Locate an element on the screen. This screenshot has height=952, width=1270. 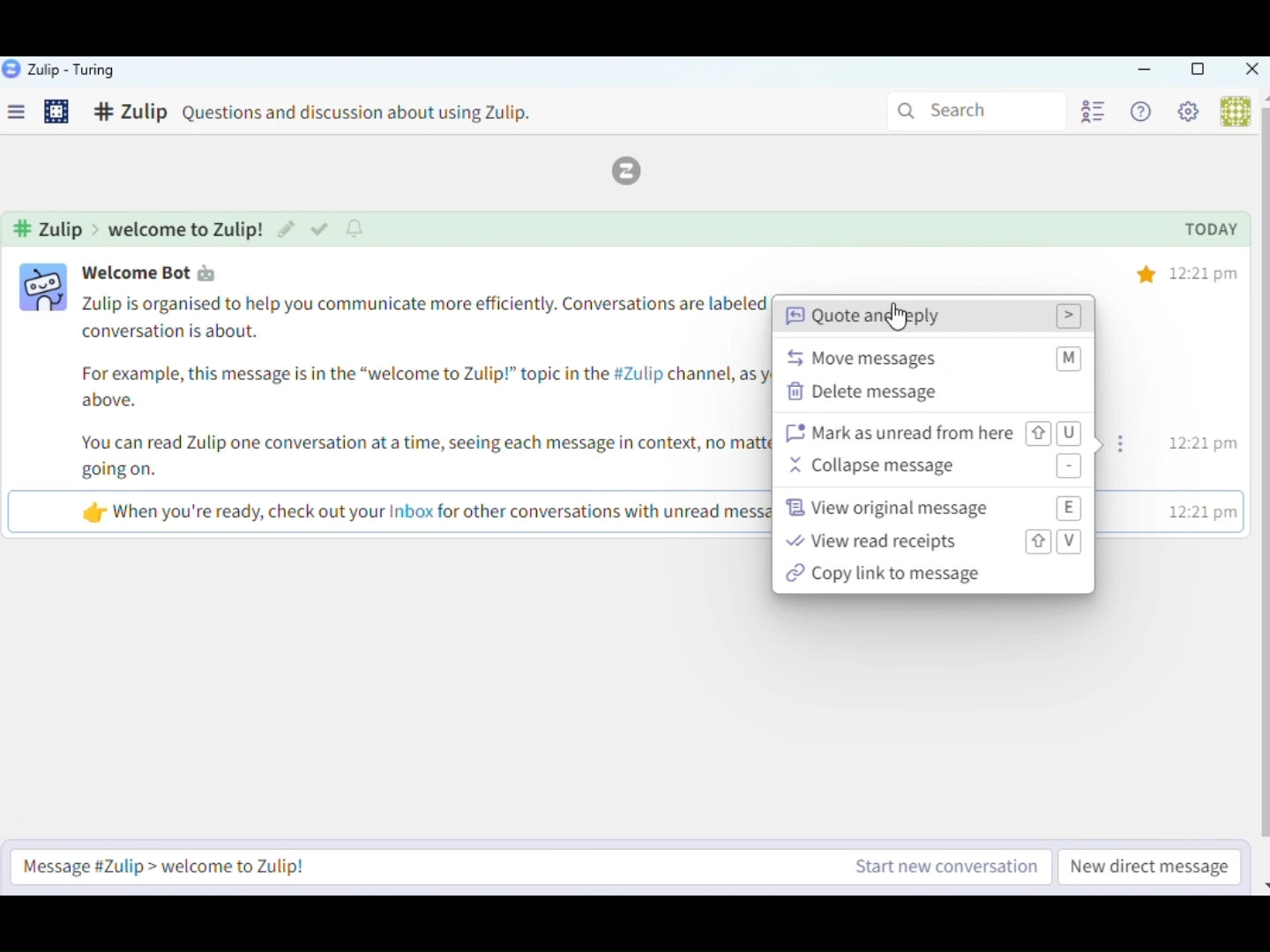
Zulip is located at coordinates (637, 171).